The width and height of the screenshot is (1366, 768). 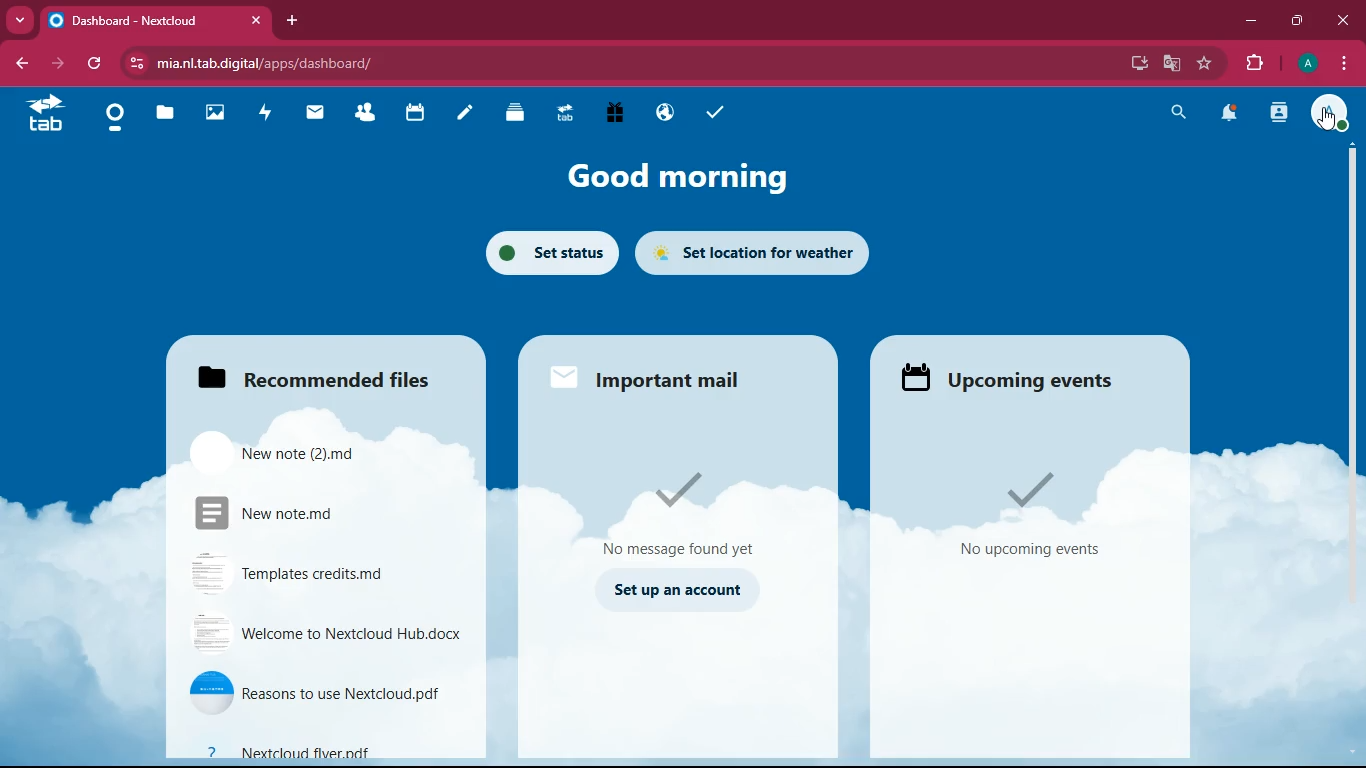 I want to click on menu, so click(x=1345, y=64).